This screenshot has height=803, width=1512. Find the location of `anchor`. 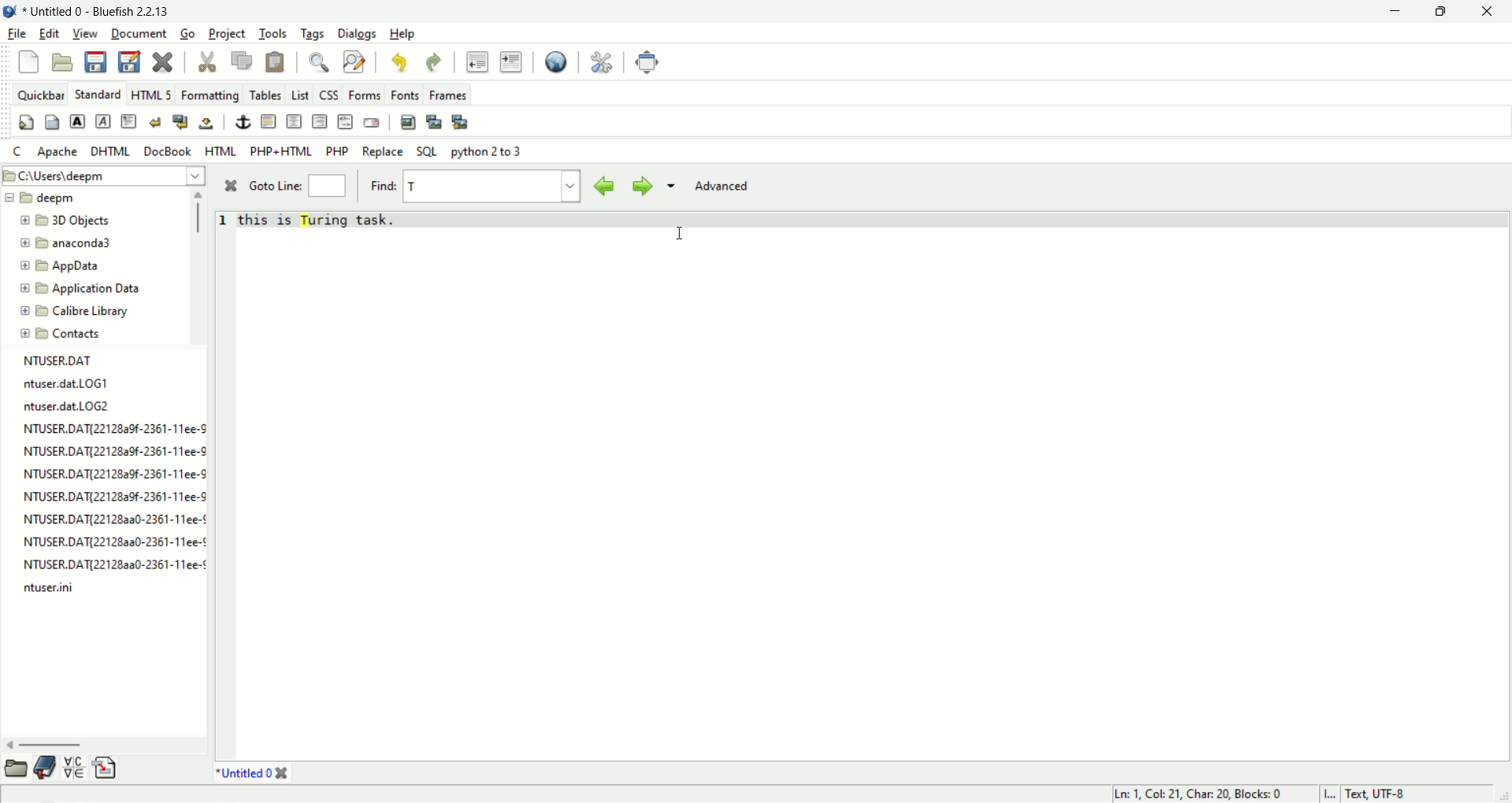

anchor is located at coordinates (243, 121).